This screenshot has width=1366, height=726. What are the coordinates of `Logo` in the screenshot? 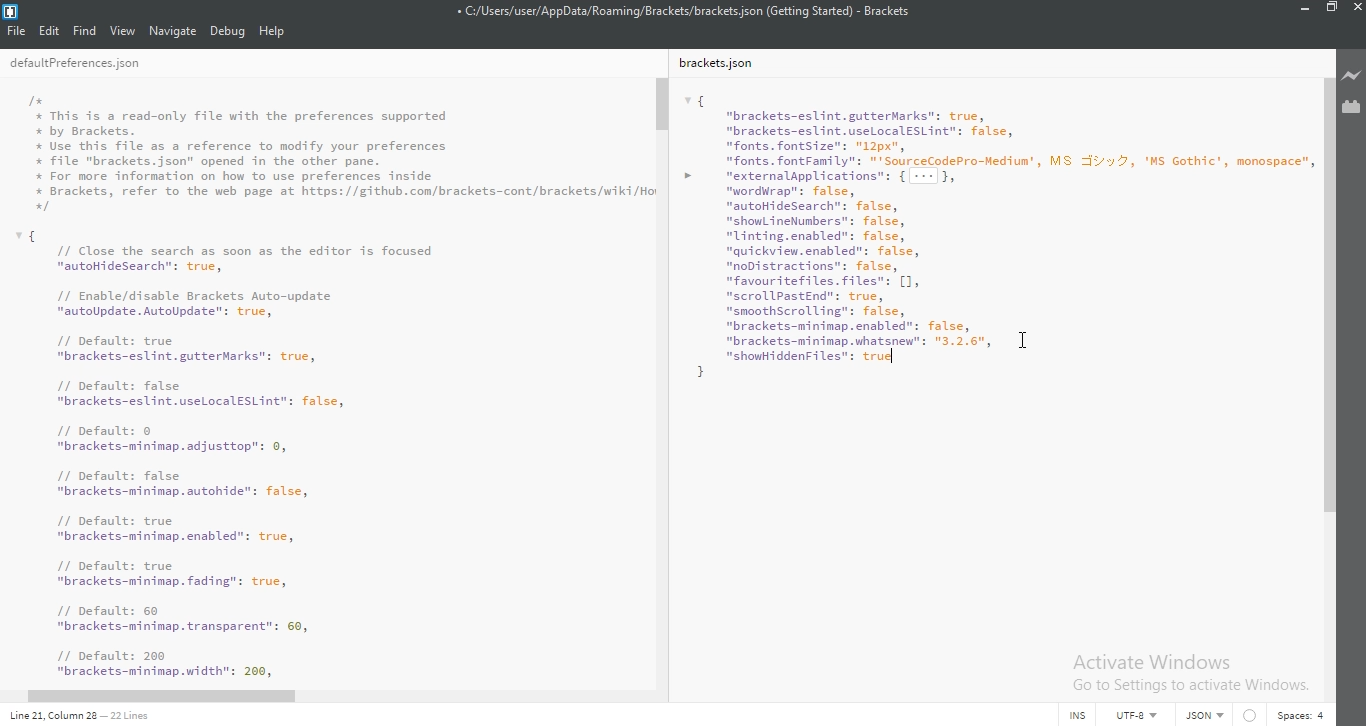 It's located at (13, 10).